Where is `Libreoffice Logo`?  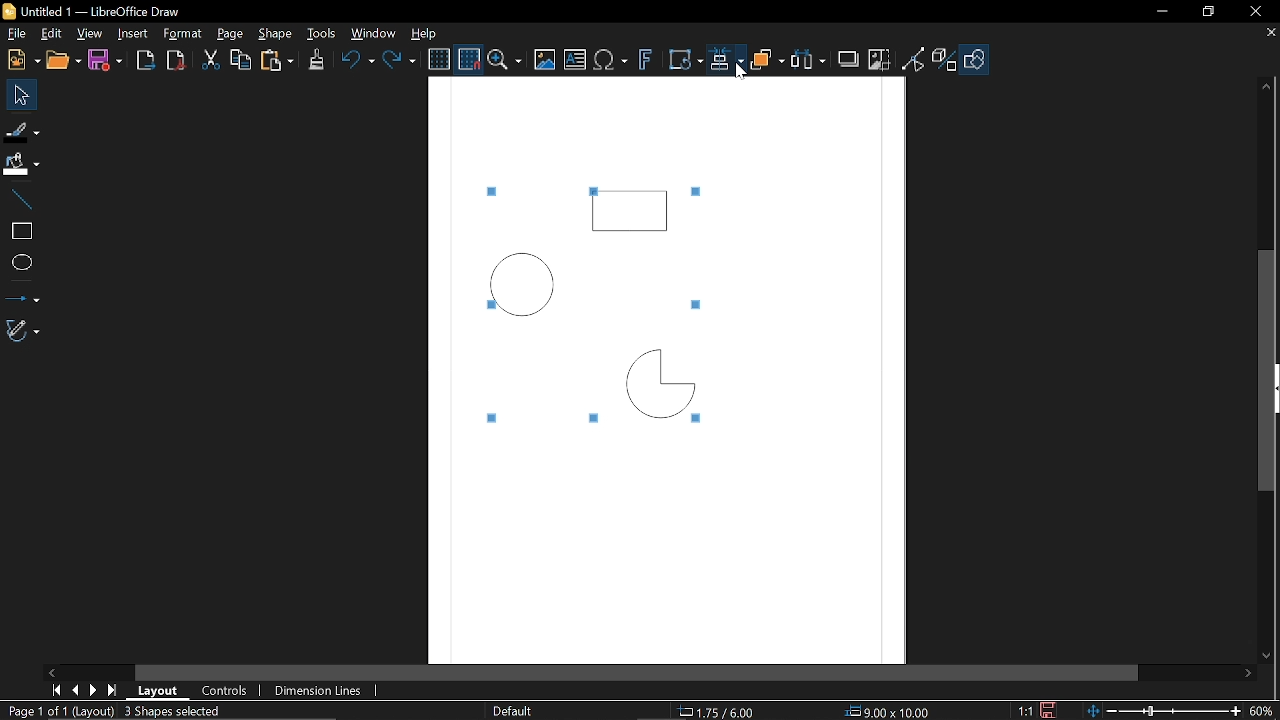
Libreoffice Logo is located at coordinates (9, 10).